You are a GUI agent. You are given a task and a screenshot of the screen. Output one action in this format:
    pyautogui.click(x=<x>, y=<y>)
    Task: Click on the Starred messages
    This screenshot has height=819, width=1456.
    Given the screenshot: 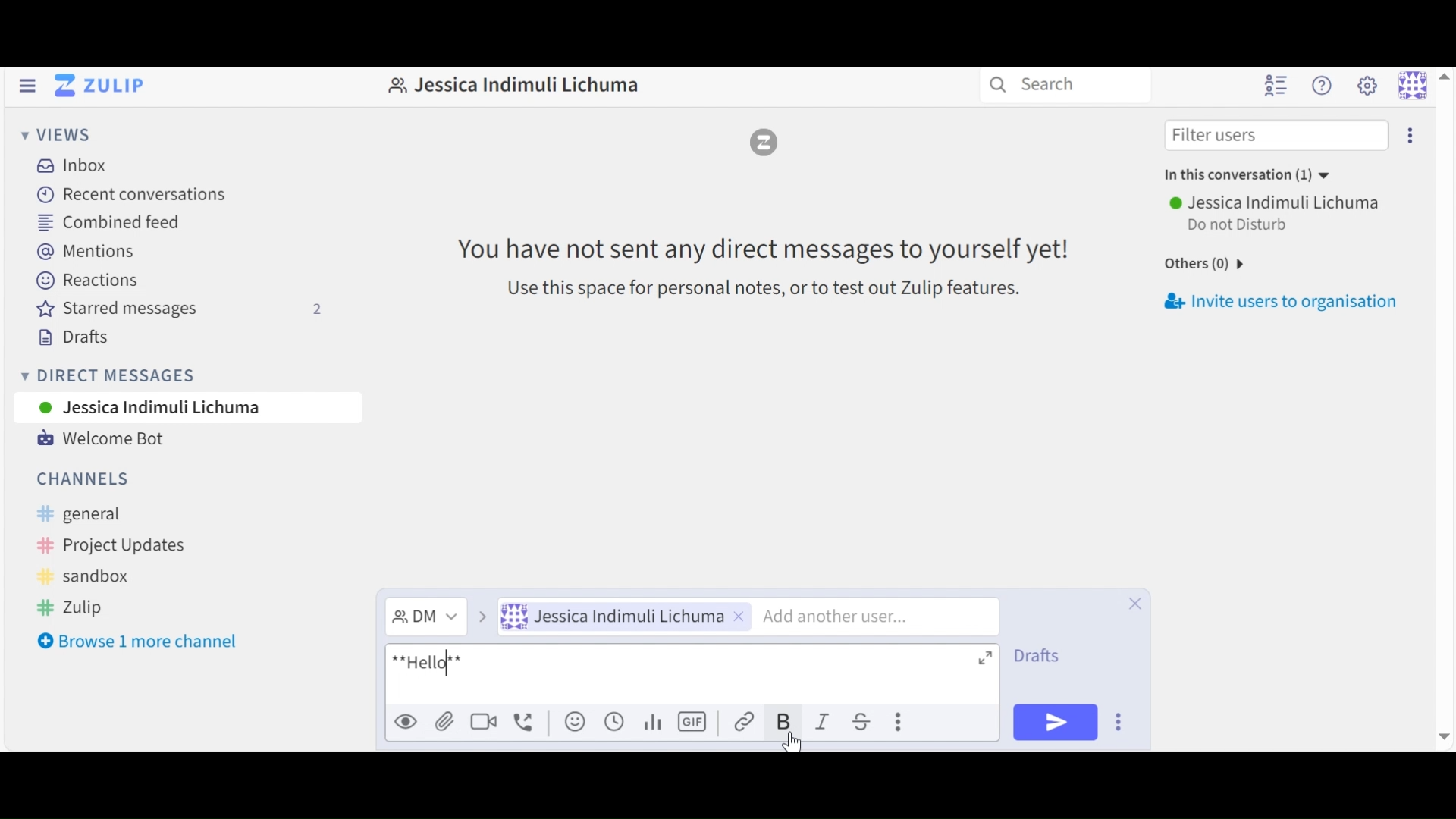 What is the action you would take?
    pyautogui.click(x=179, y=309)
    